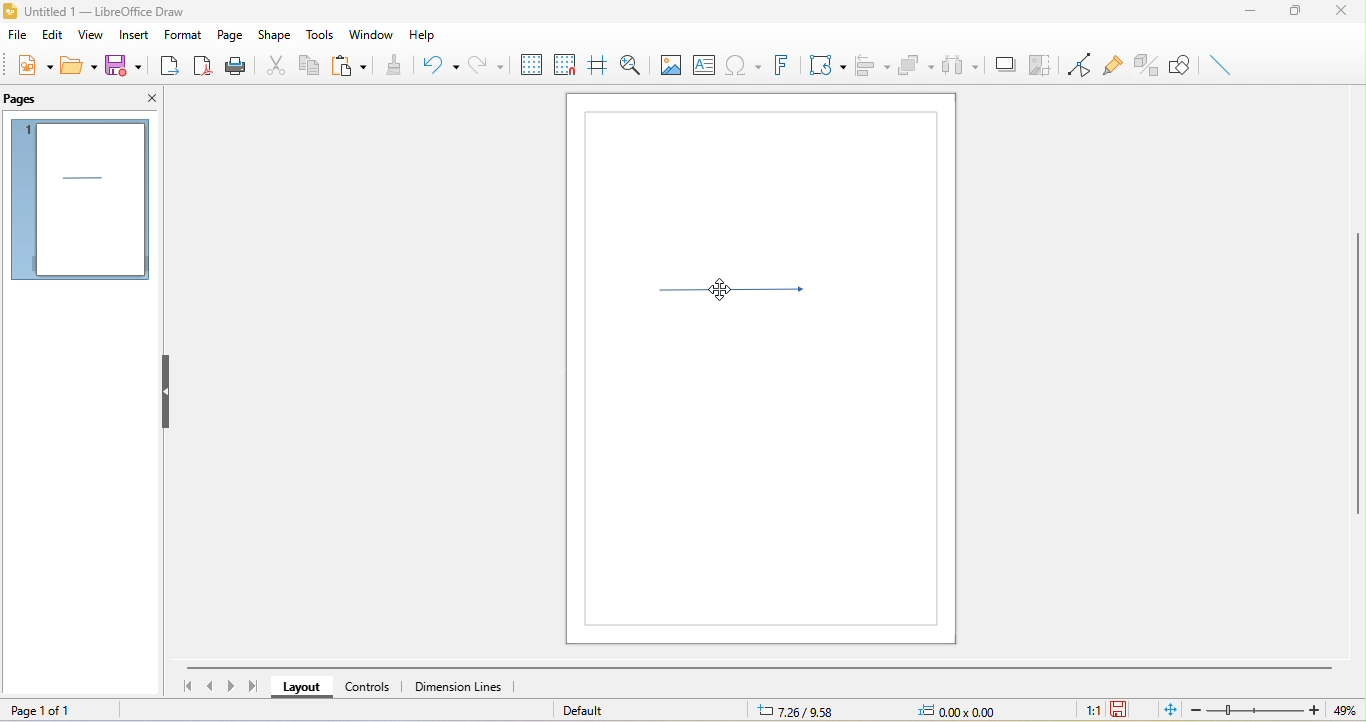 This screenshot has width=1366, height=722. What do you see at coordinates (168, 390) in the screenshot?
I see `hide` at bounding box center [168, 390].